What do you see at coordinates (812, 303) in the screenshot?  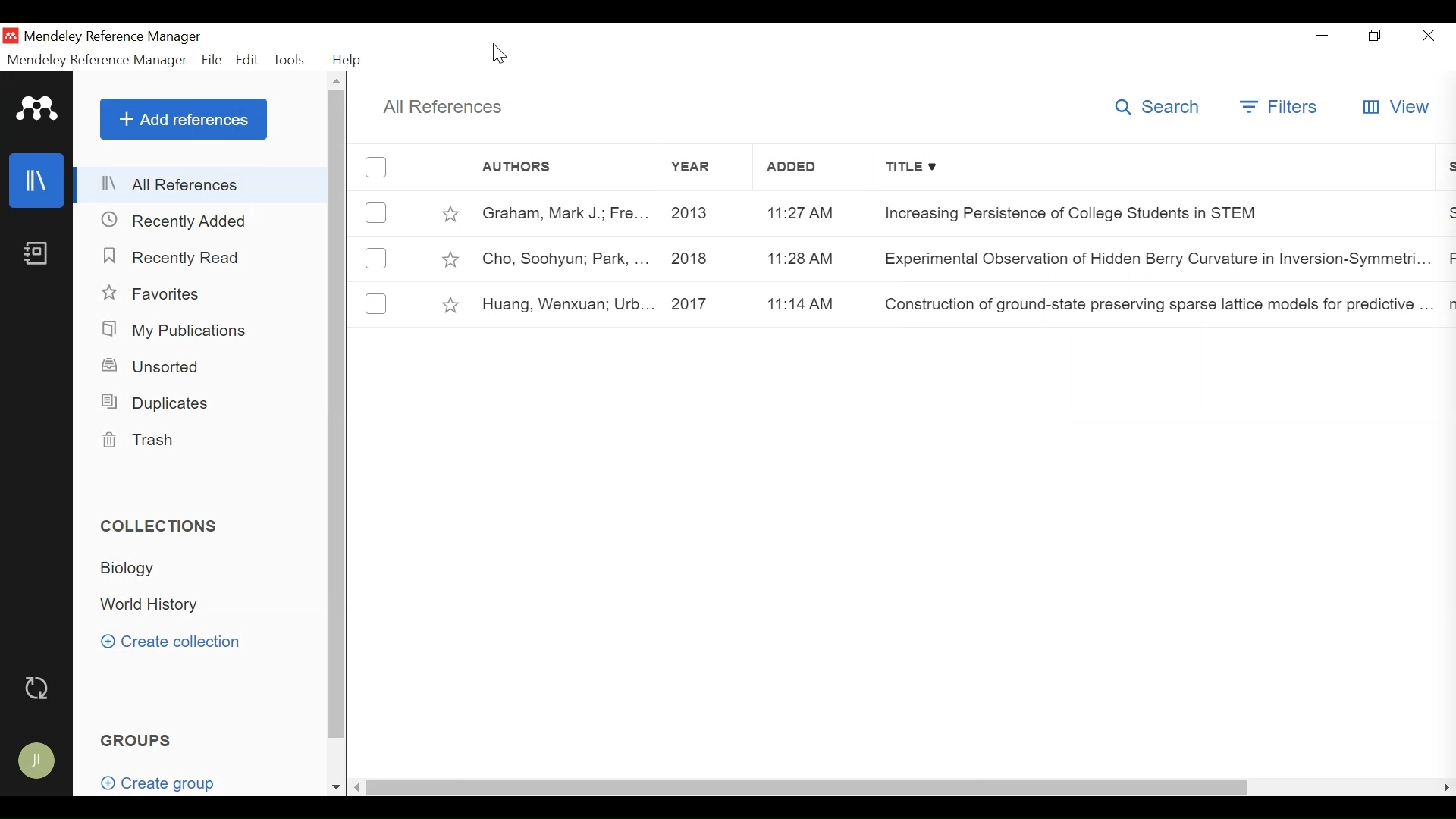 I see `11:14 AM` at bounding box center [812, 303].